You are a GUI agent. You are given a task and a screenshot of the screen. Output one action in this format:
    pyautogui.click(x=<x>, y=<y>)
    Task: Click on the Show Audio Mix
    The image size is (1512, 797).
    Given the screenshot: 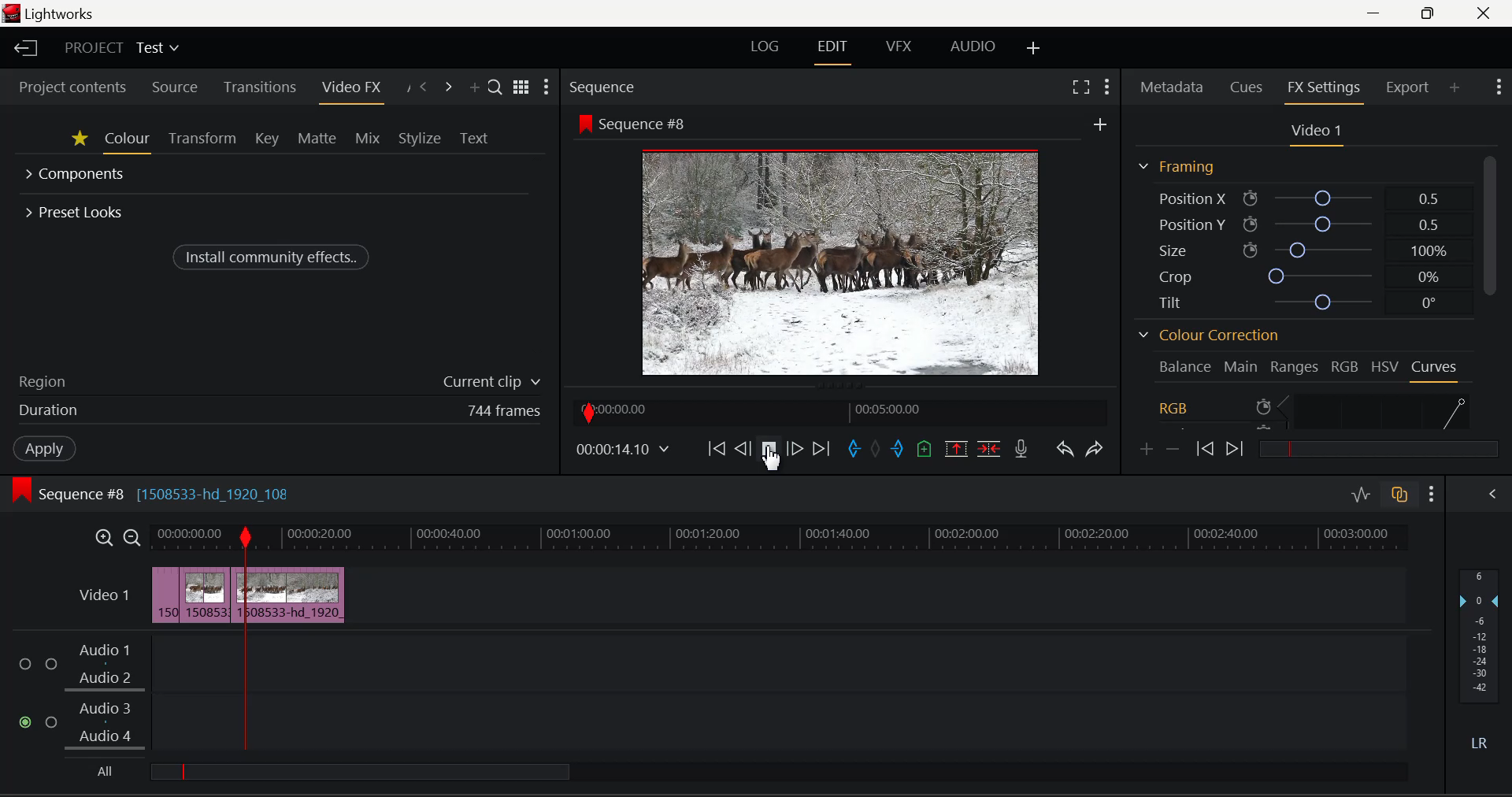 What is the action you would take?
    pyautogui.click(x=1492, y=496)
    